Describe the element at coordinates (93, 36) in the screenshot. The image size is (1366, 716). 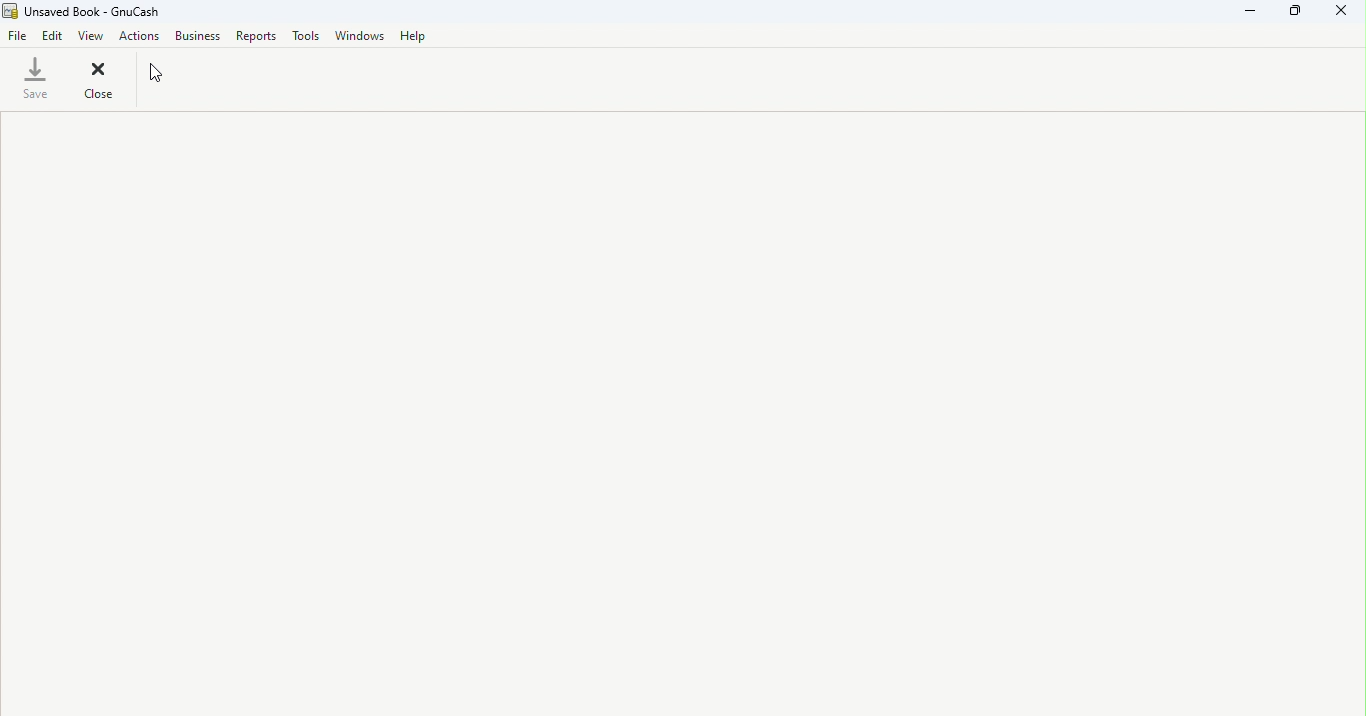
I see `View` at that location.